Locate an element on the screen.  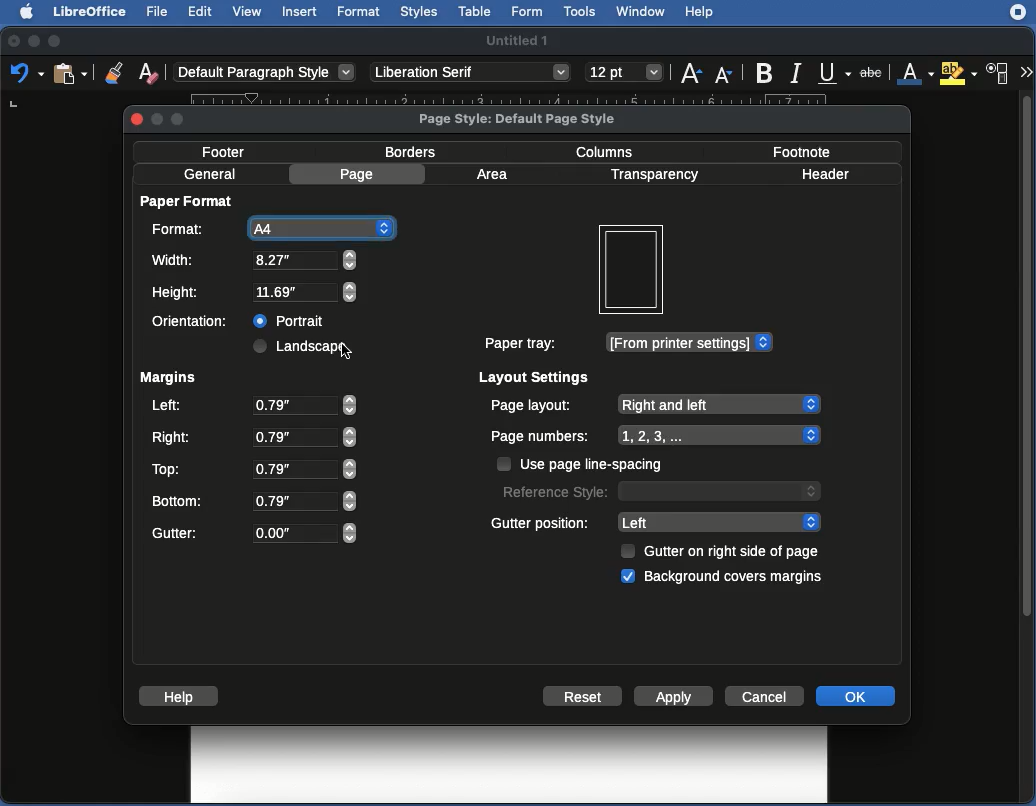
Paper format is located at coordinates (191, 205).